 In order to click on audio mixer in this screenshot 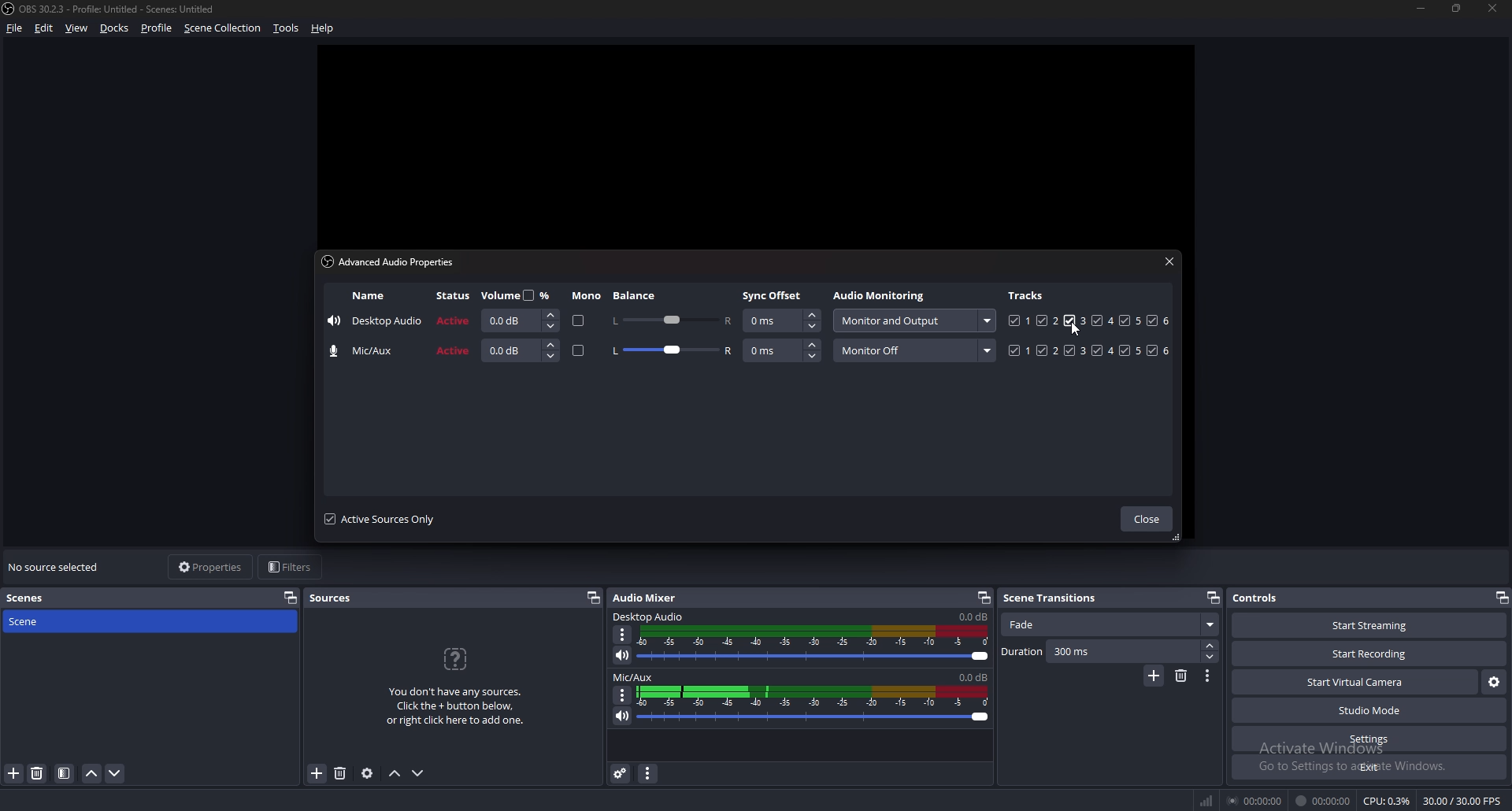, I will do `click(648, 598)`.